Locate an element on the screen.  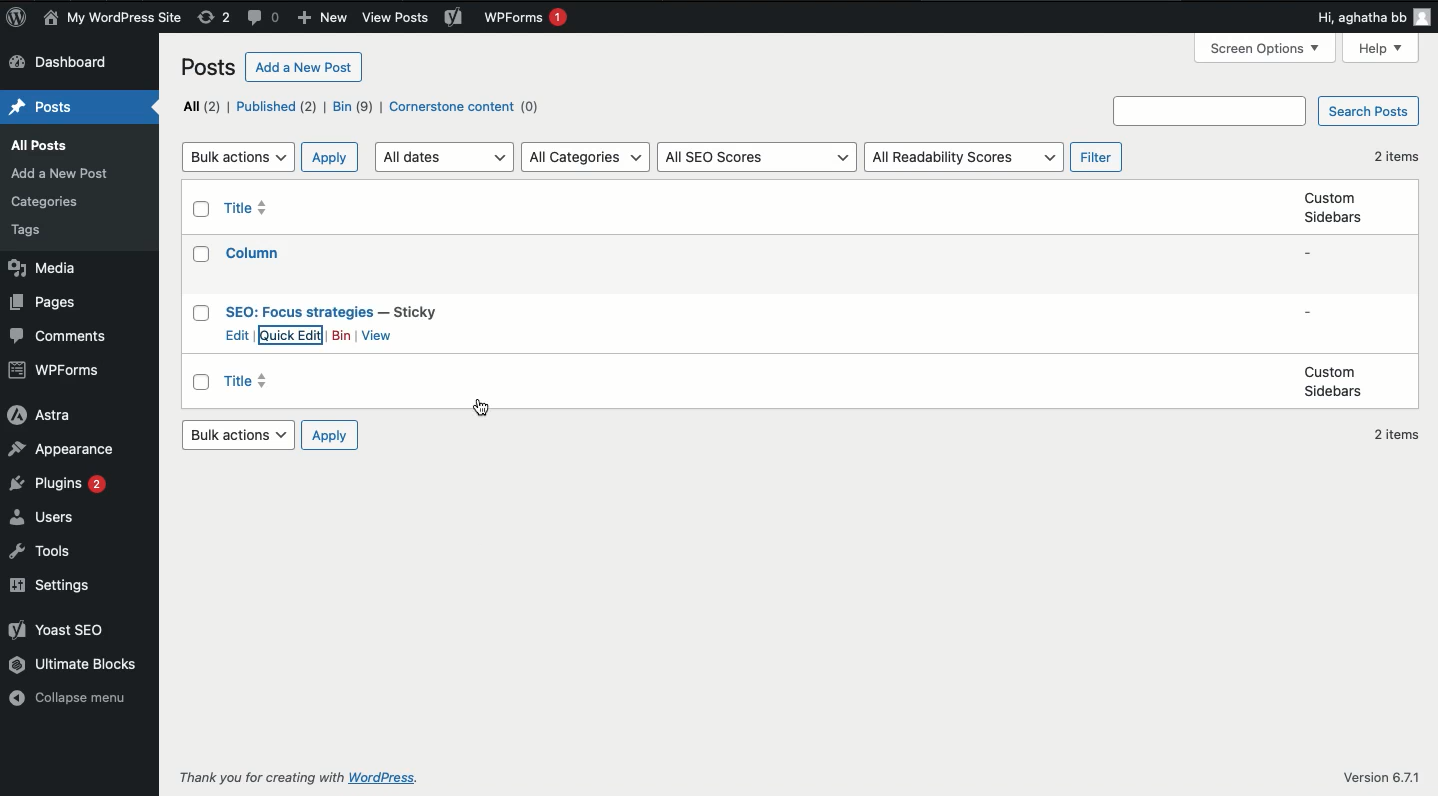
New is located at coordinates (321, 19).